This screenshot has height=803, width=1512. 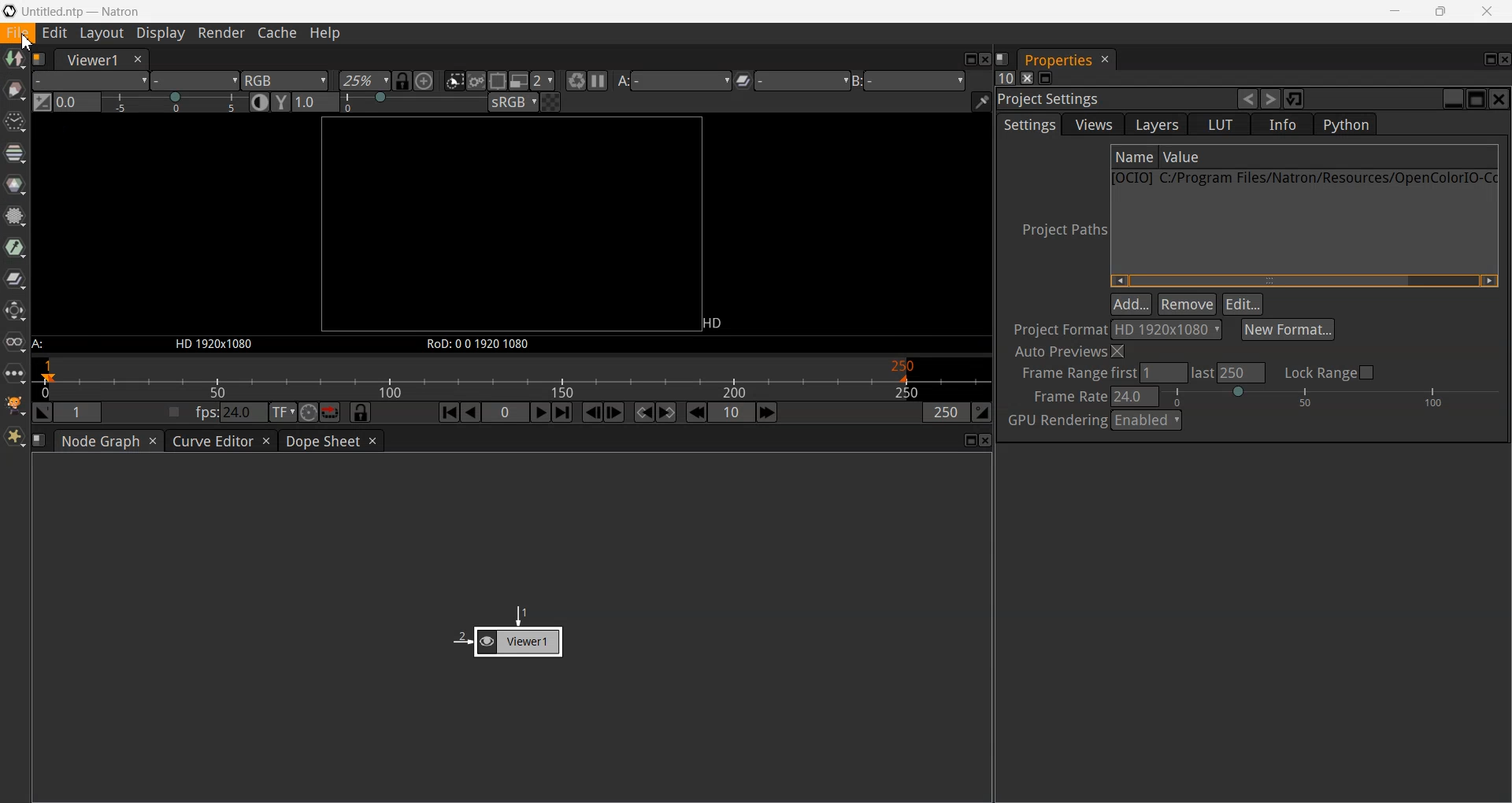 I want to click on Help, so click(x=324, y=34).